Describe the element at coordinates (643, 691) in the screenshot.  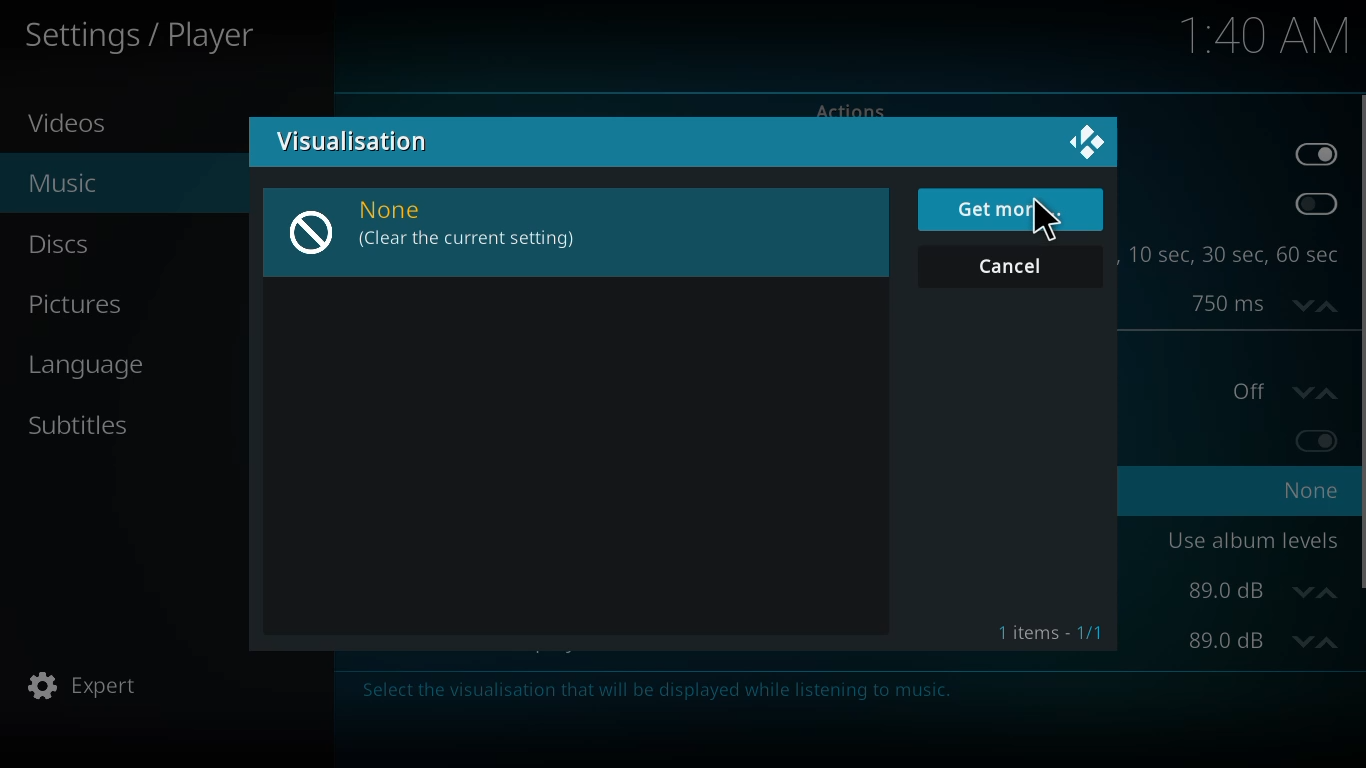
I see `info` at that location.